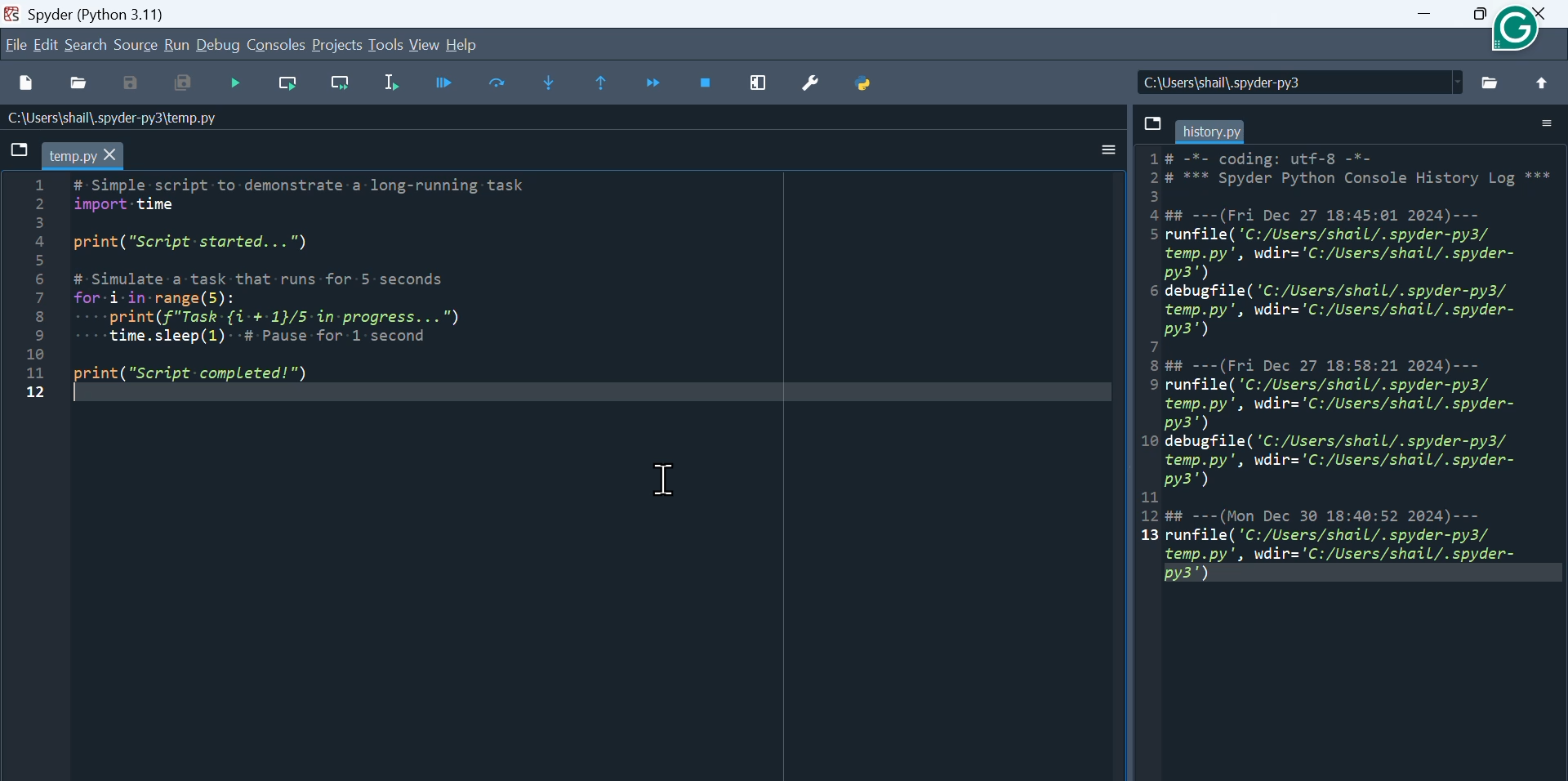 This screenshot has height=781, width=1568. What do you see at coordinates (494, 82) in the screenshot?
I see `Run current cell` at bounding box center [494, 82].